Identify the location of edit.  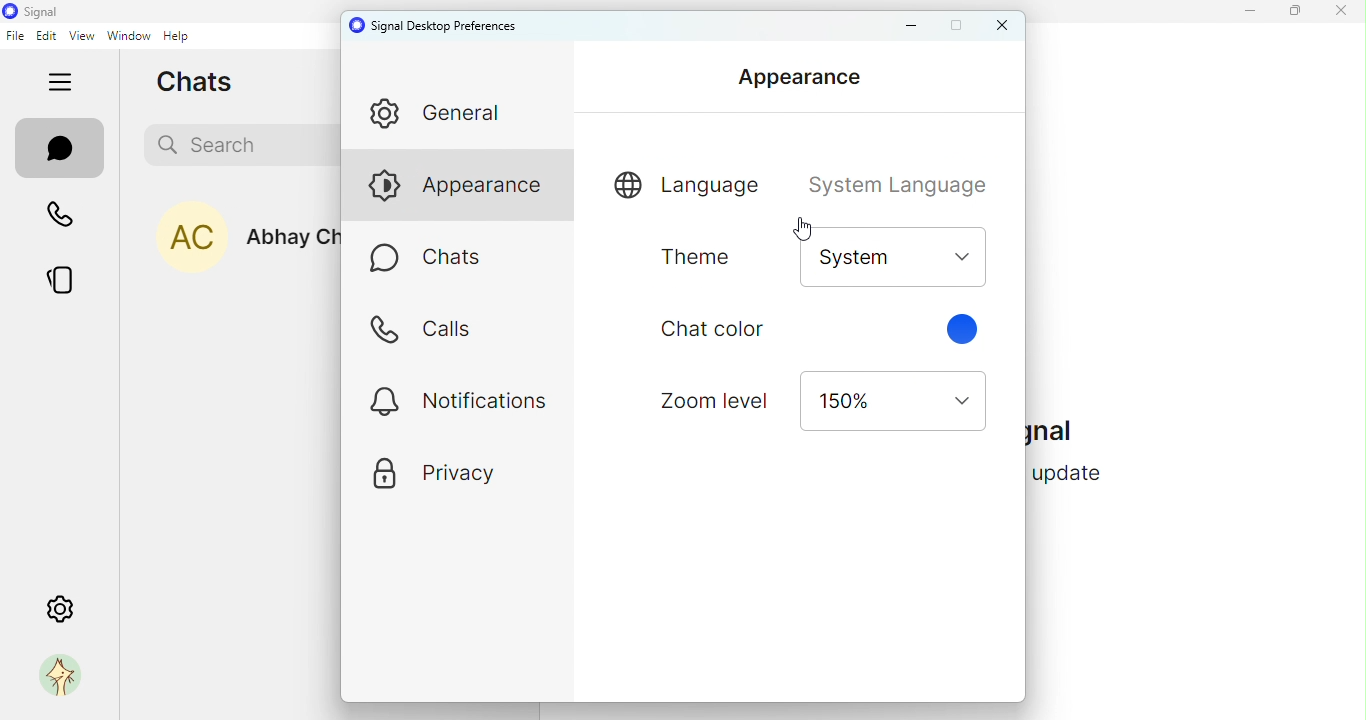
(47, 37).